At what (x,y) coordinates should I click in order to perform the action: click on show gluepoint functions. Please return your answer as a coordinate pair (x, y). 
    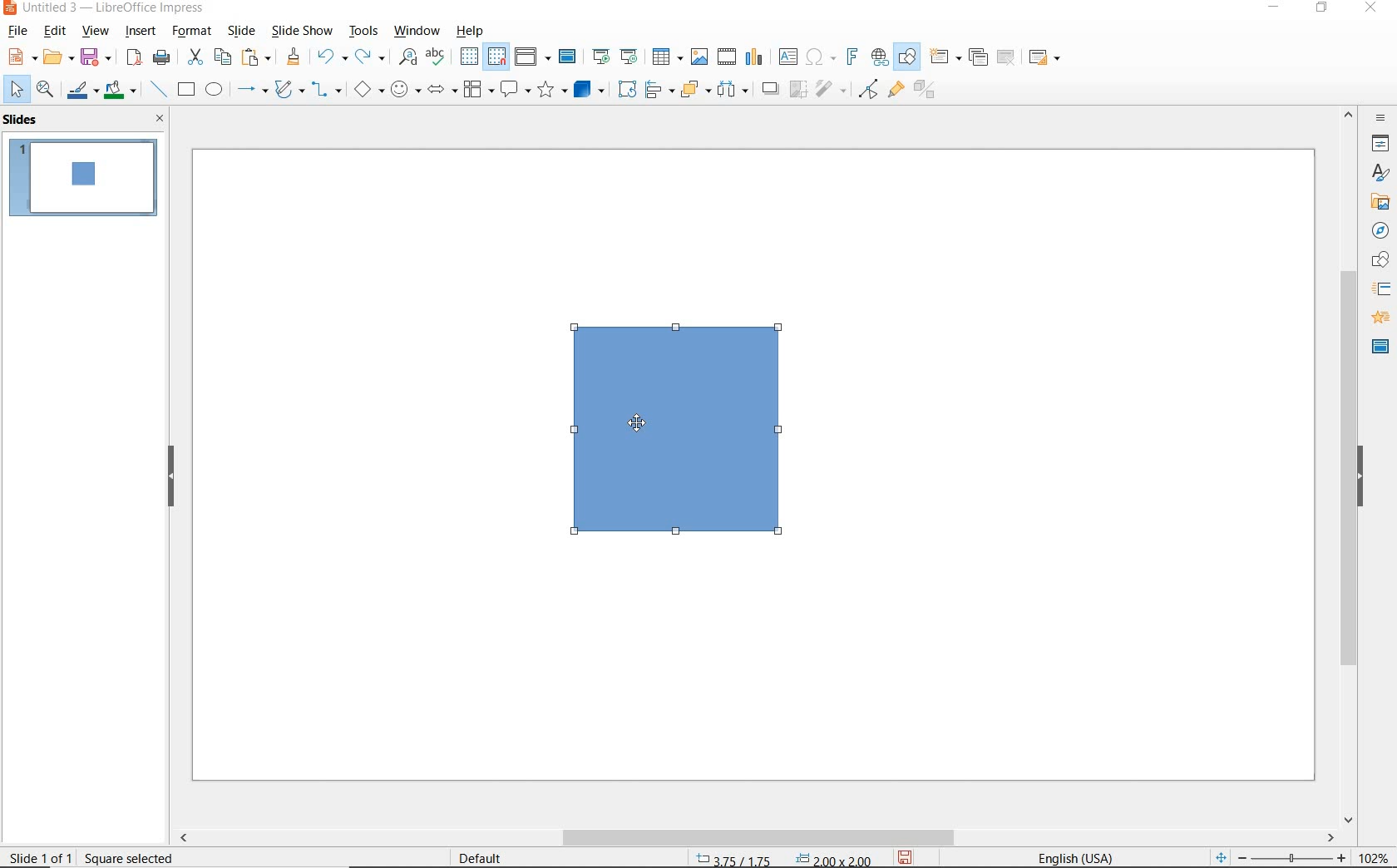
    Looking at the image, I should click on (895, 91).